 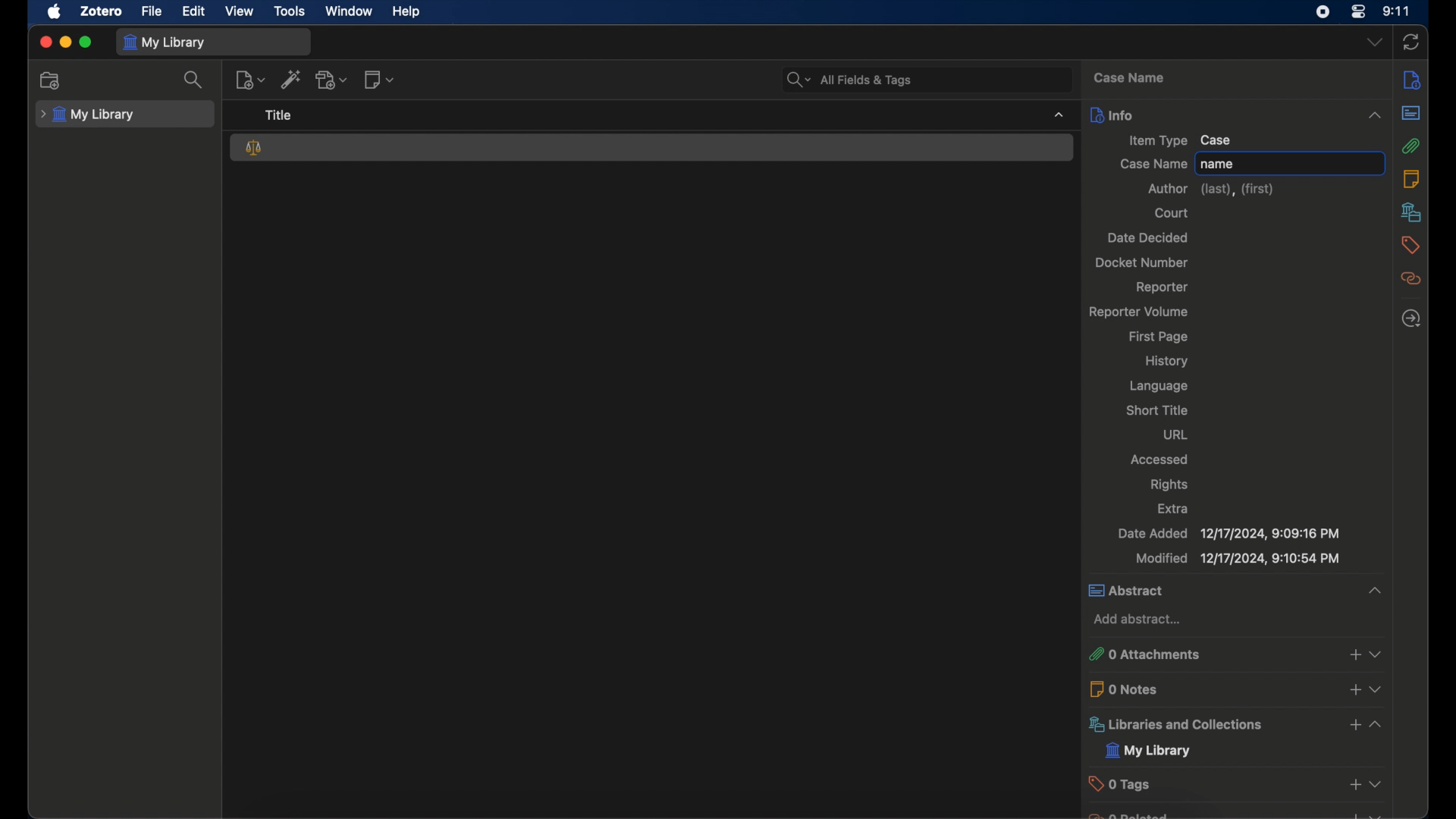 I want to click on libraries, so click(x=1411, y=212).